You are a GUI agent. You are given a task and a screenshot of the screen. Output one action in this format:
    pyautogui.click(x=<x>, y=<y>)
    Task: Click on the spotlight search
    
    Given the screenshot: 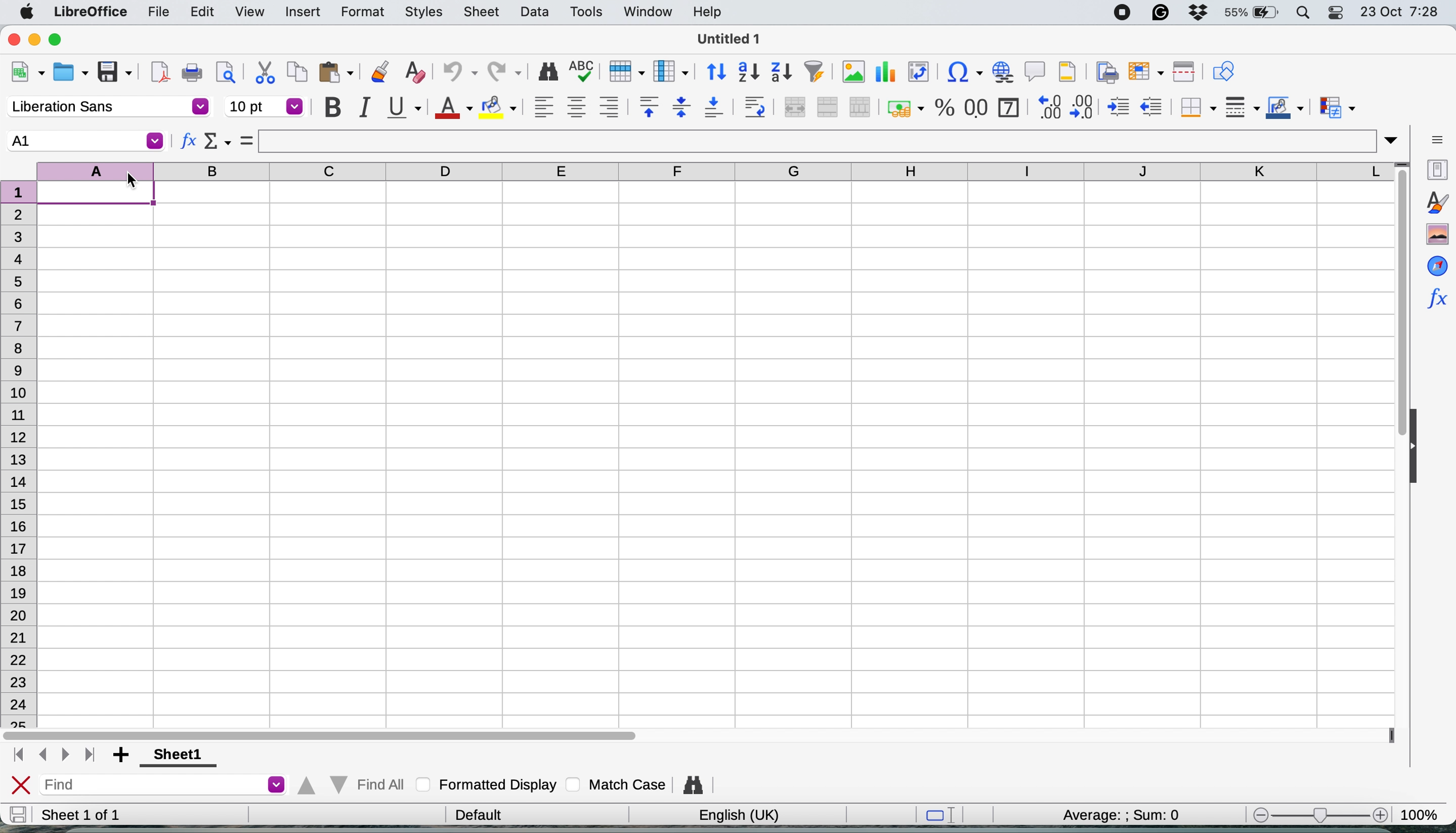 What is the action you would take?
    pyautogui.click(x=1301, y=13)
    